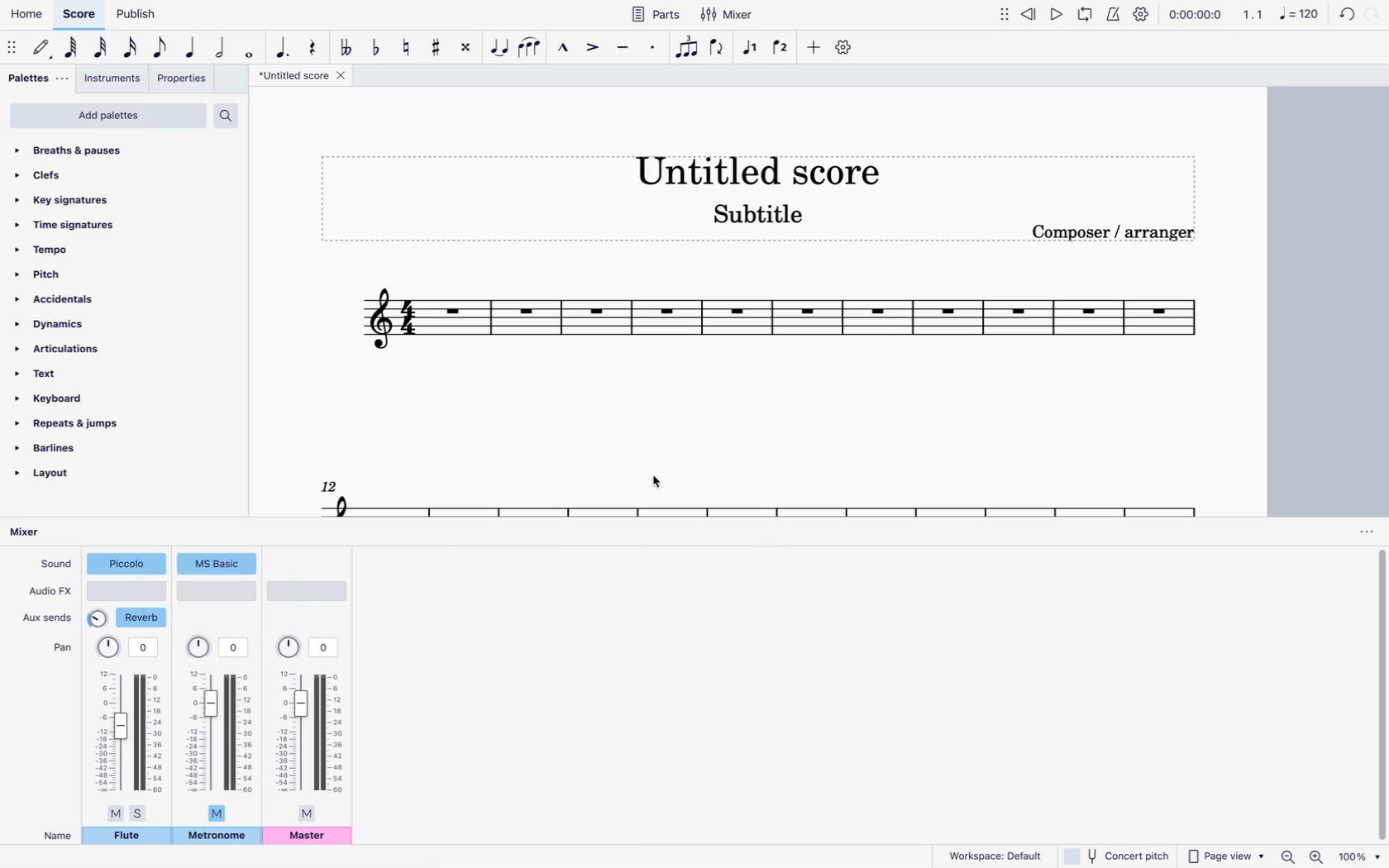 The width and height of the screenshot is (1389, 868). I want to click on score title, so click(305, 75).